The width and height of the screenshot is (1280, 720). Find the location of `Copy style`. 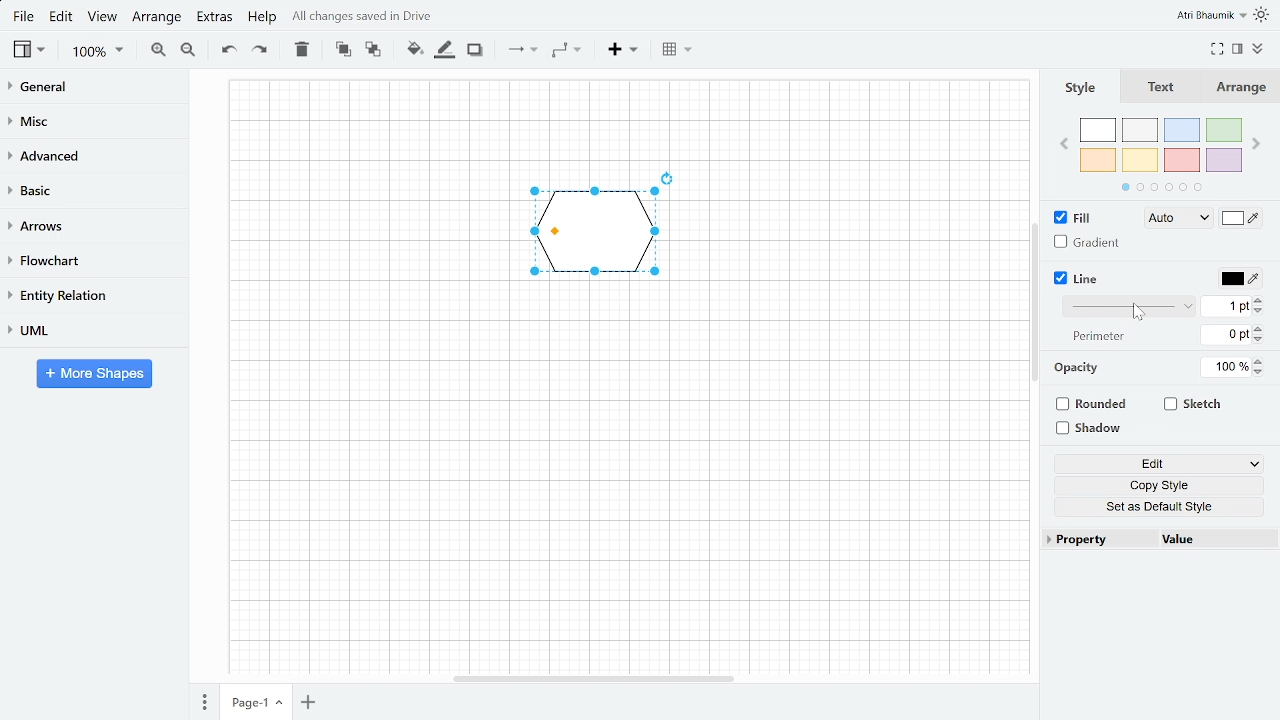

Copy style is located at coordinates (1159, 486).